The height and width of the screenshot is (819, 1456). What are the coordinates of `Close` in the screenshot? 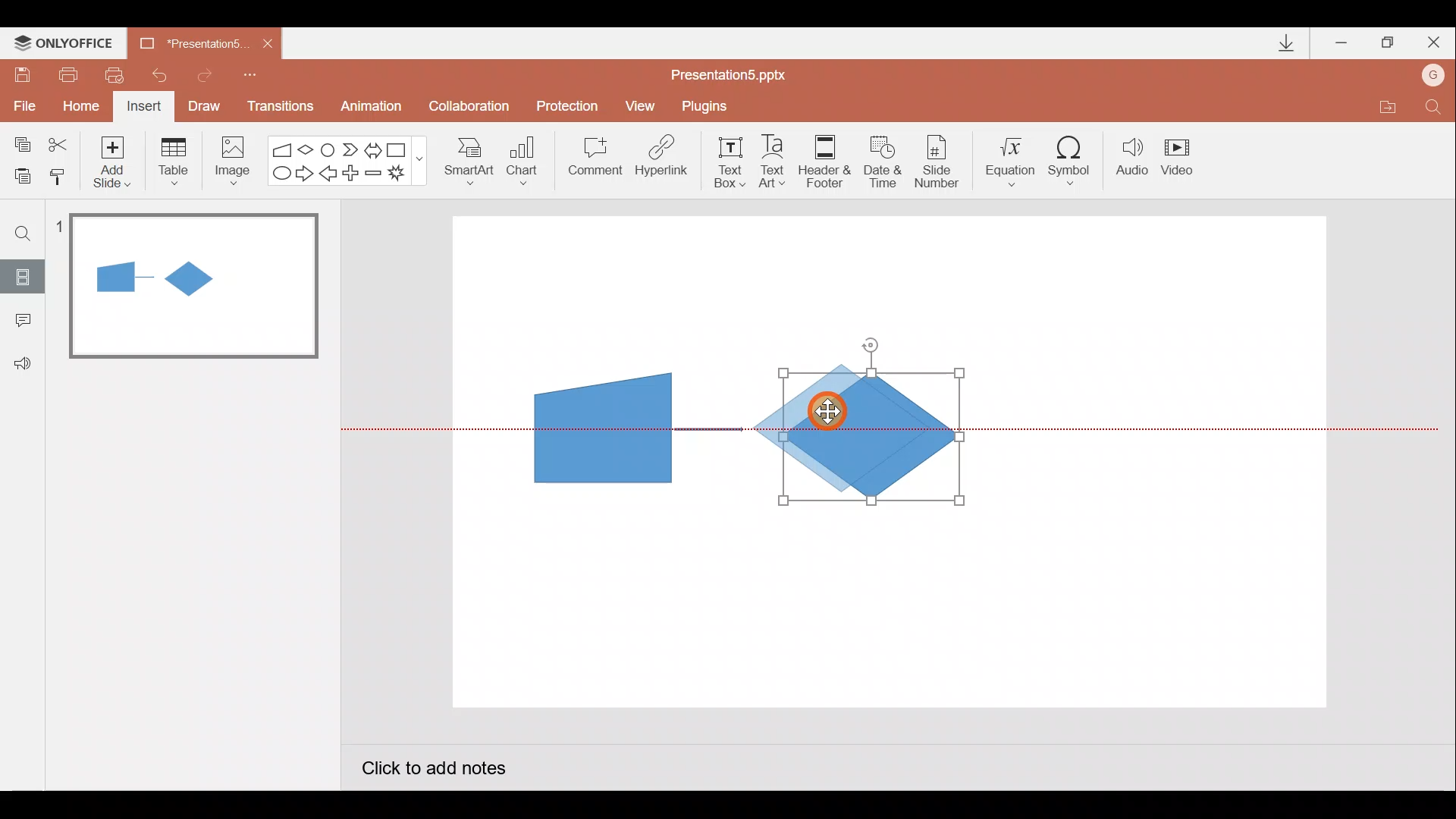 It's located at (1434, 45).